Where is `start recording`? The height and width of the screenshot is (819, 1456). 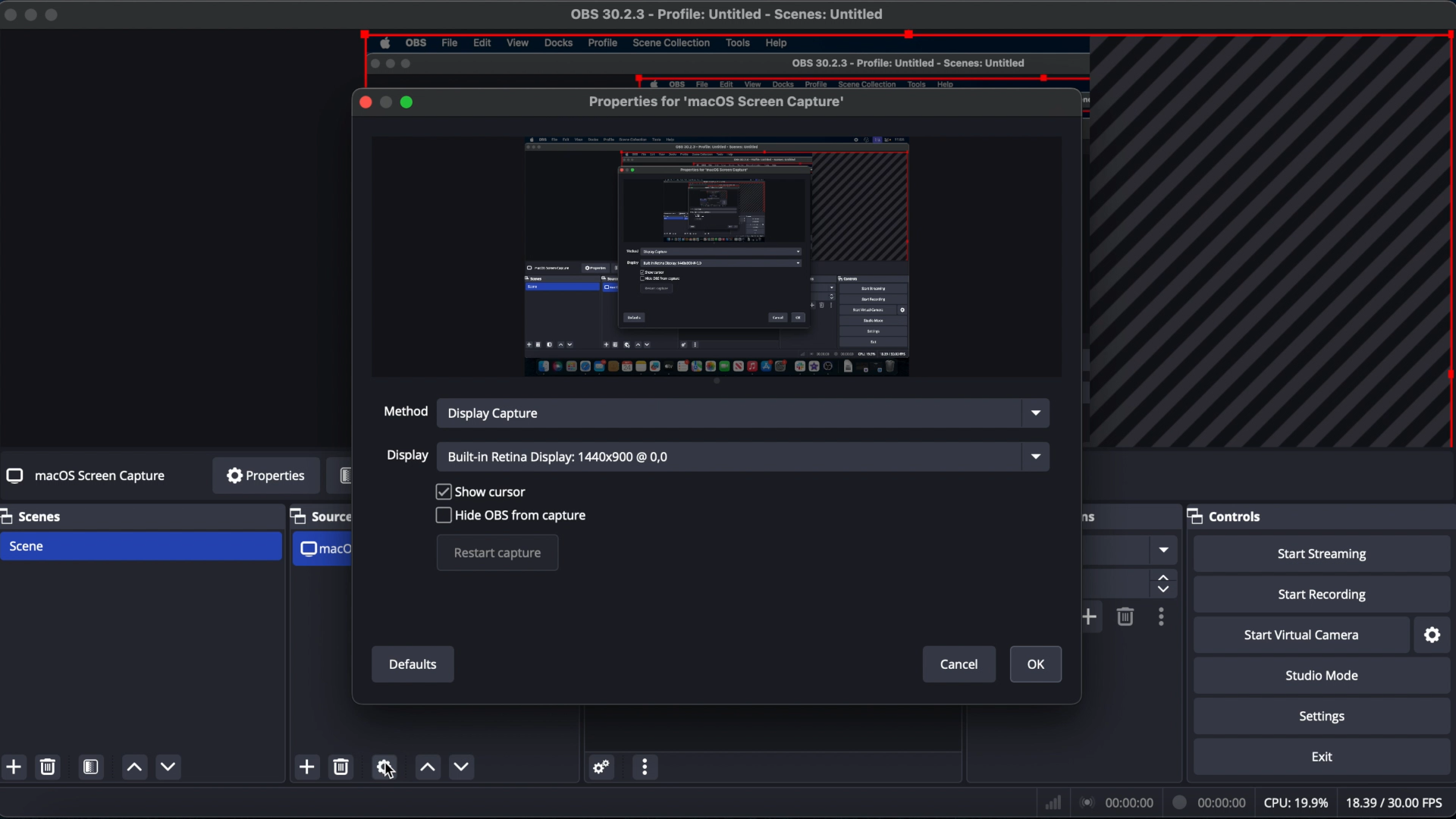 start recording is located at coordinates (1326, 595).